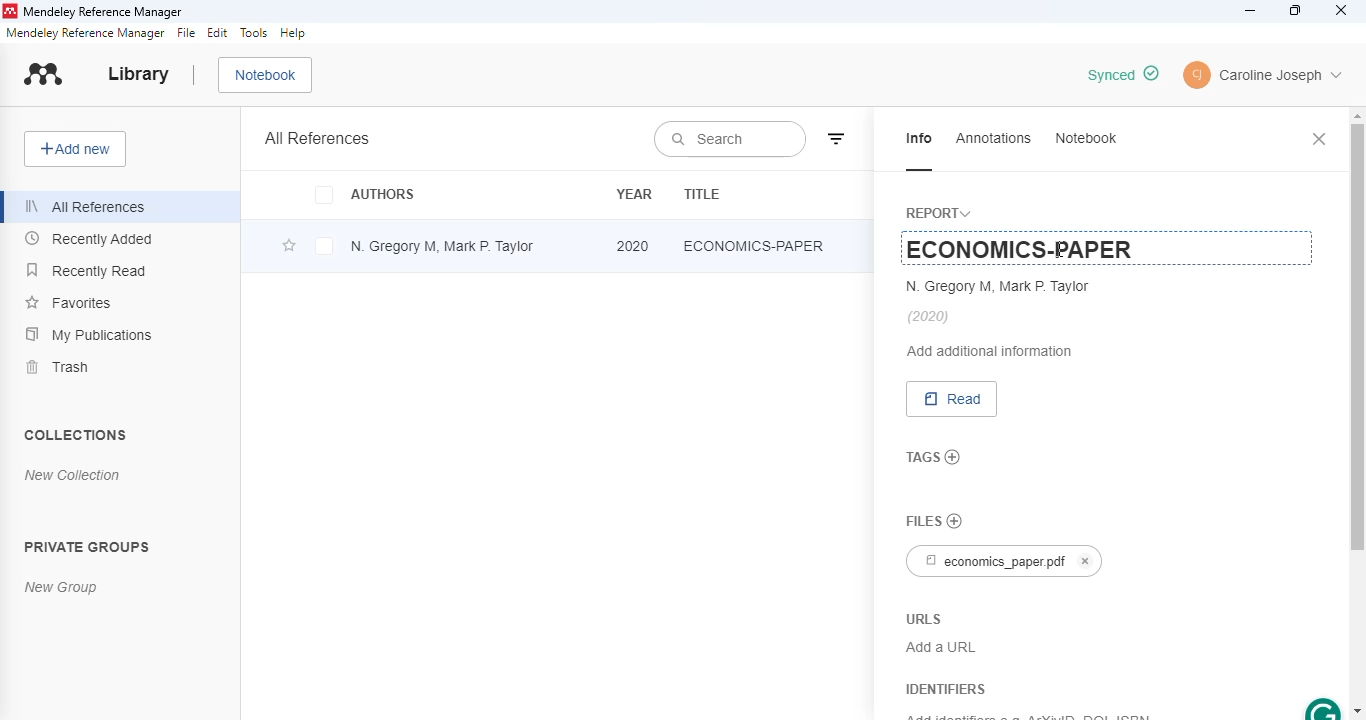  I want to click on N. Gregory M, Mark P. Taylor, so click(441, 246).